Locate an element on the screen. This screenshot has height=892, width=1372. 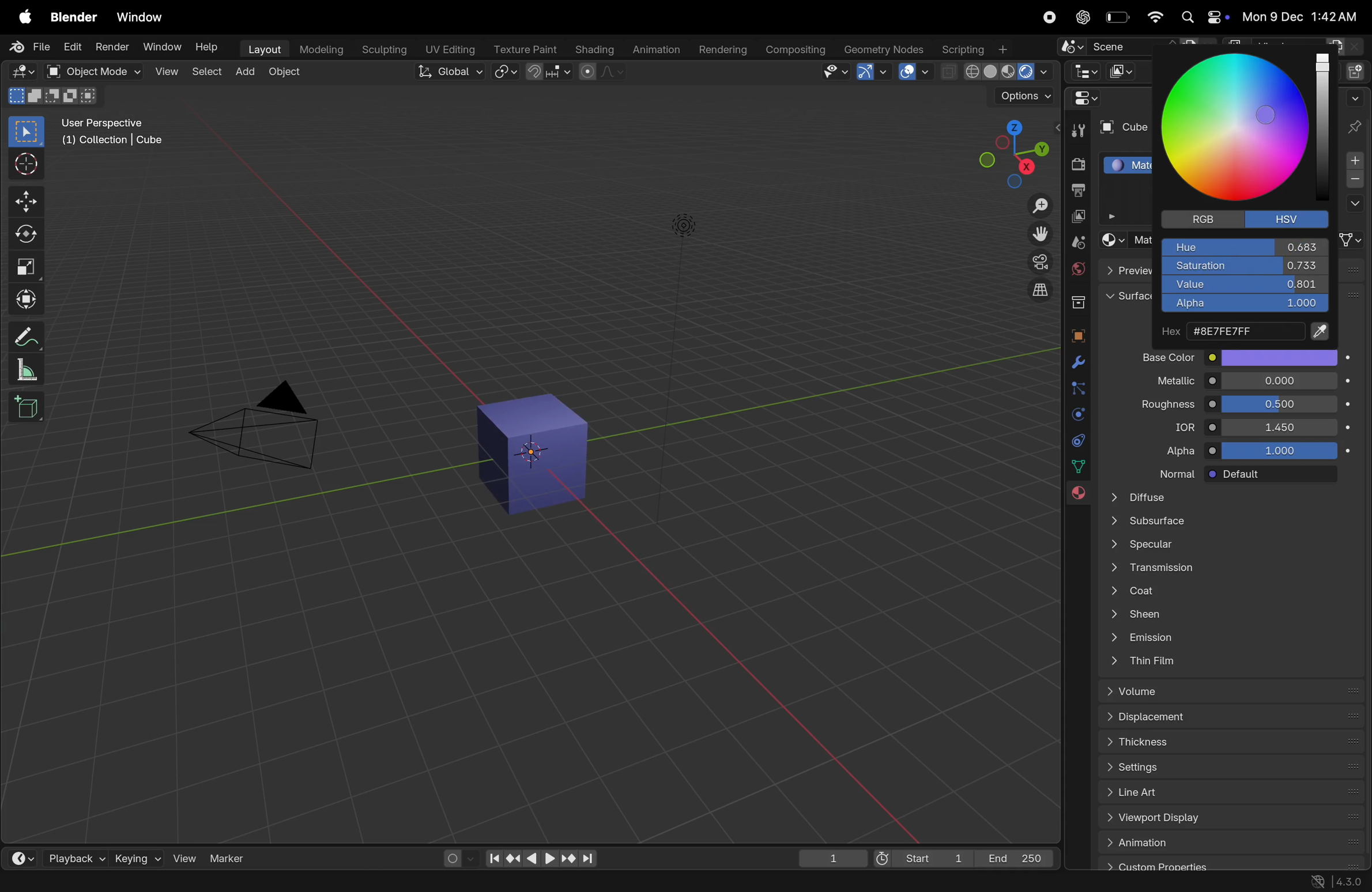
cursosr is located at coordinates (22, 165).